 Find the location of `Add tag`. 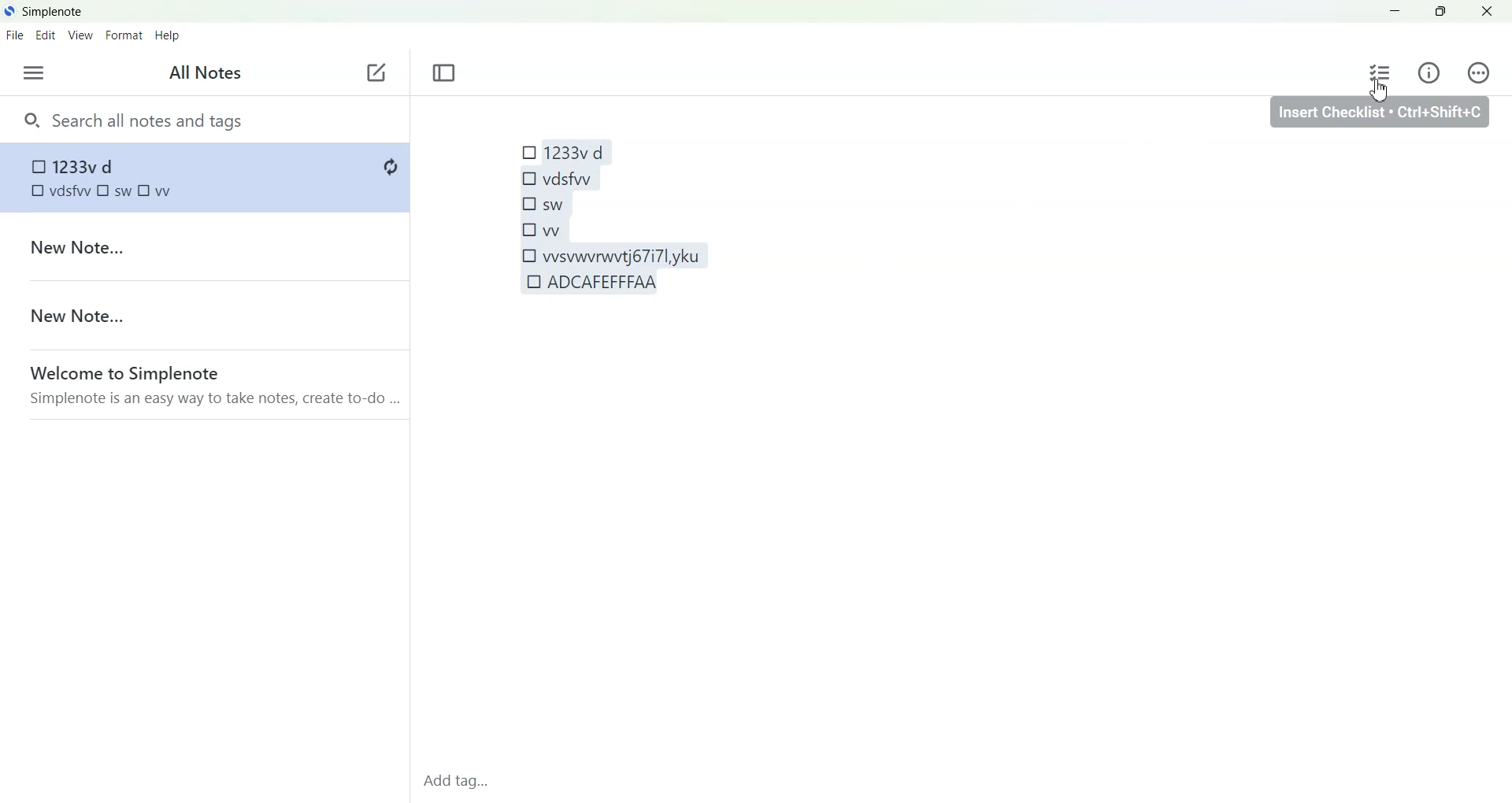

Add tag is located at coordinates (461, 781).